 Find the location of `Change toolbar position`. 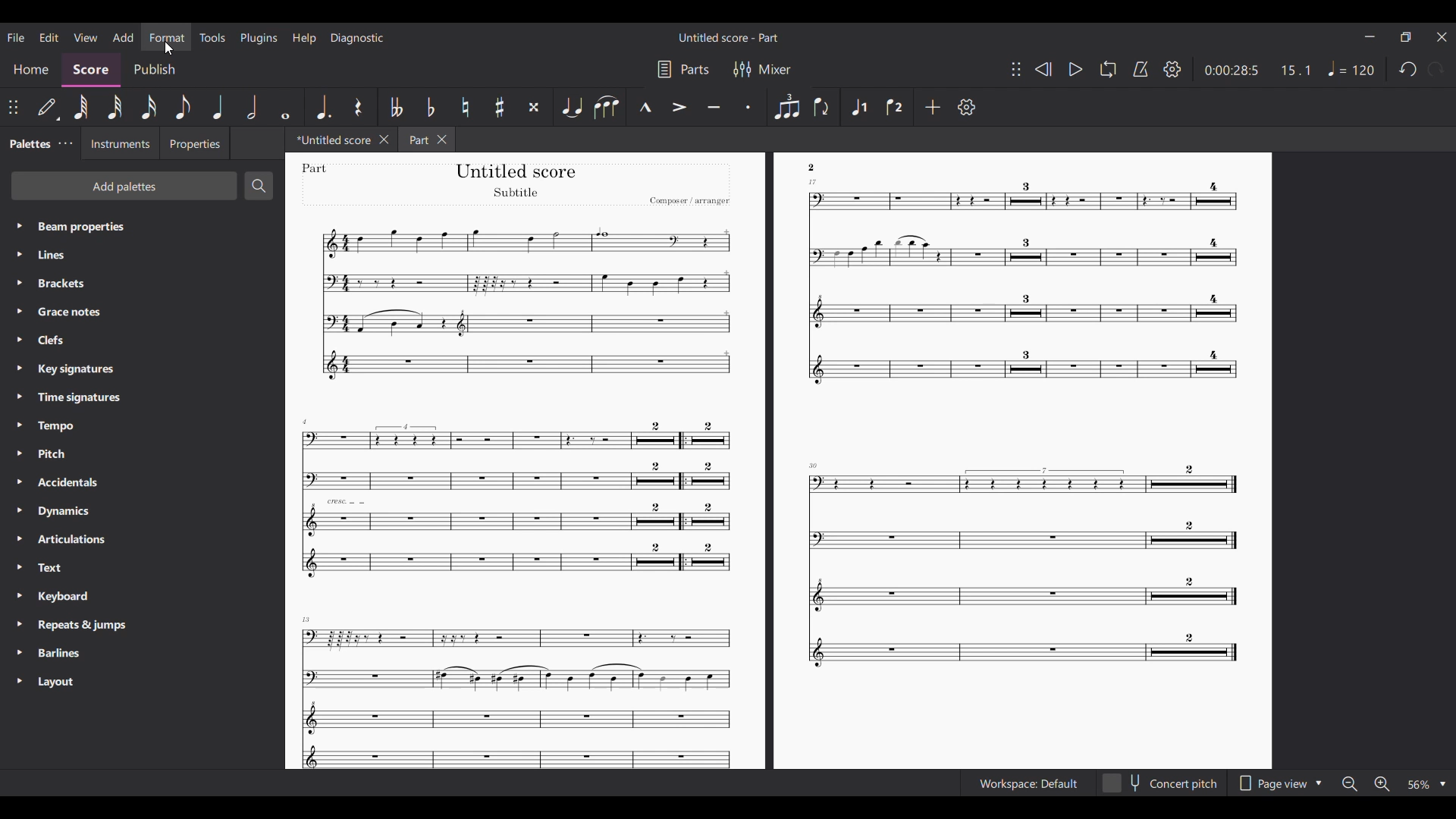

Change toolbar position is located at coordinates (1016, 69).